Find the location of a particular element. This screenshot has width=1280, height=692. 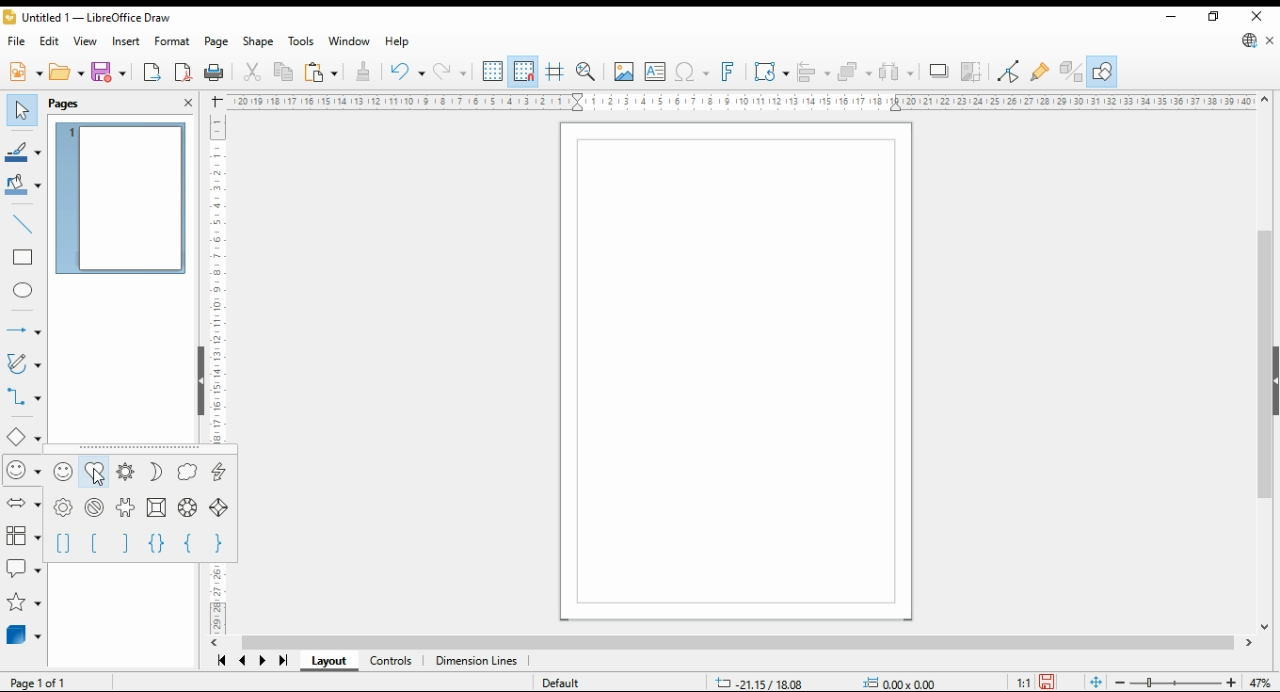

cursor is located at coordinates (95, 479).